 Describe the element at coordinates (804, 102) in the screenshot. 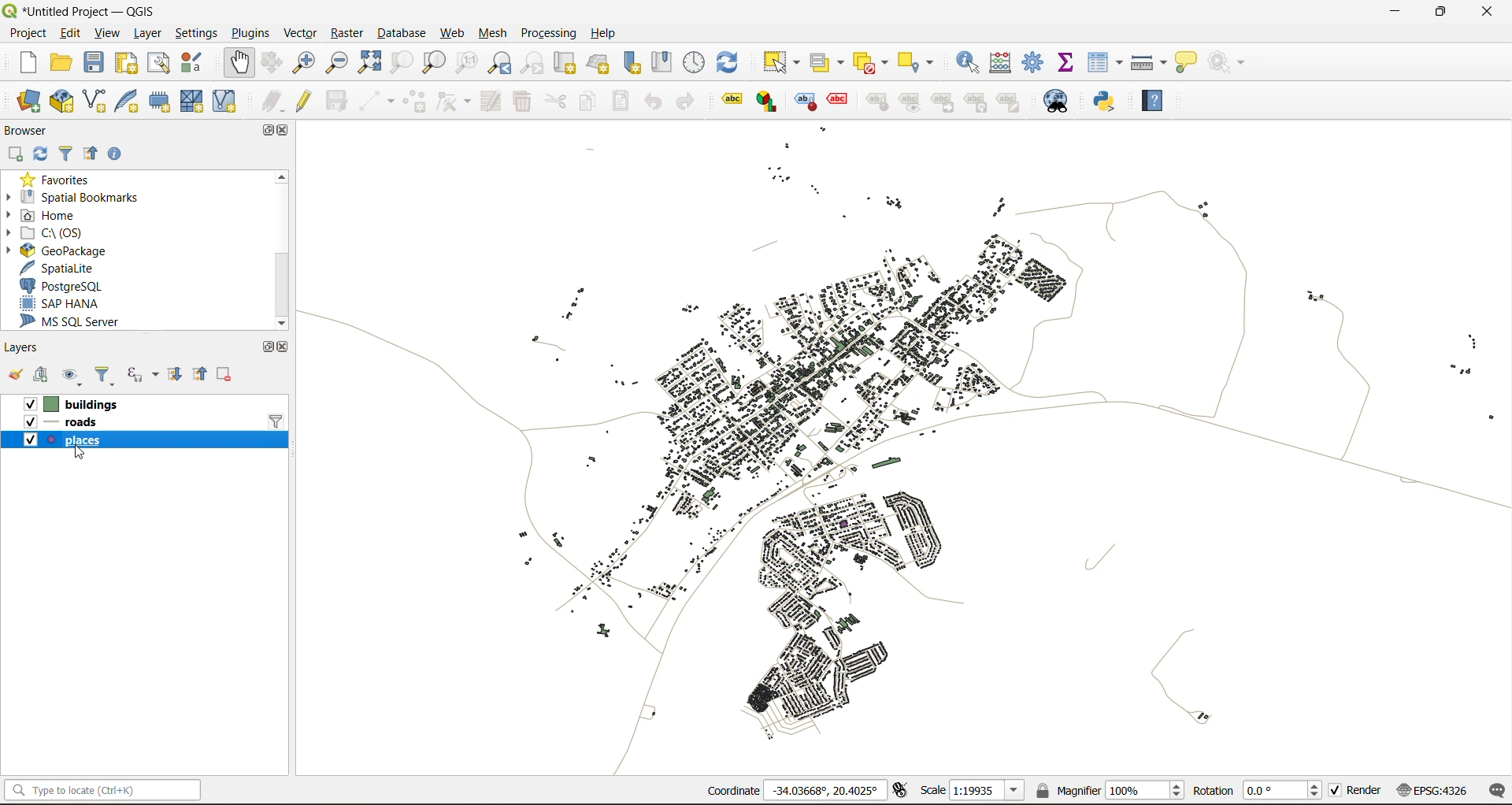

I see `highlight pinned labels and diagram` at that location.